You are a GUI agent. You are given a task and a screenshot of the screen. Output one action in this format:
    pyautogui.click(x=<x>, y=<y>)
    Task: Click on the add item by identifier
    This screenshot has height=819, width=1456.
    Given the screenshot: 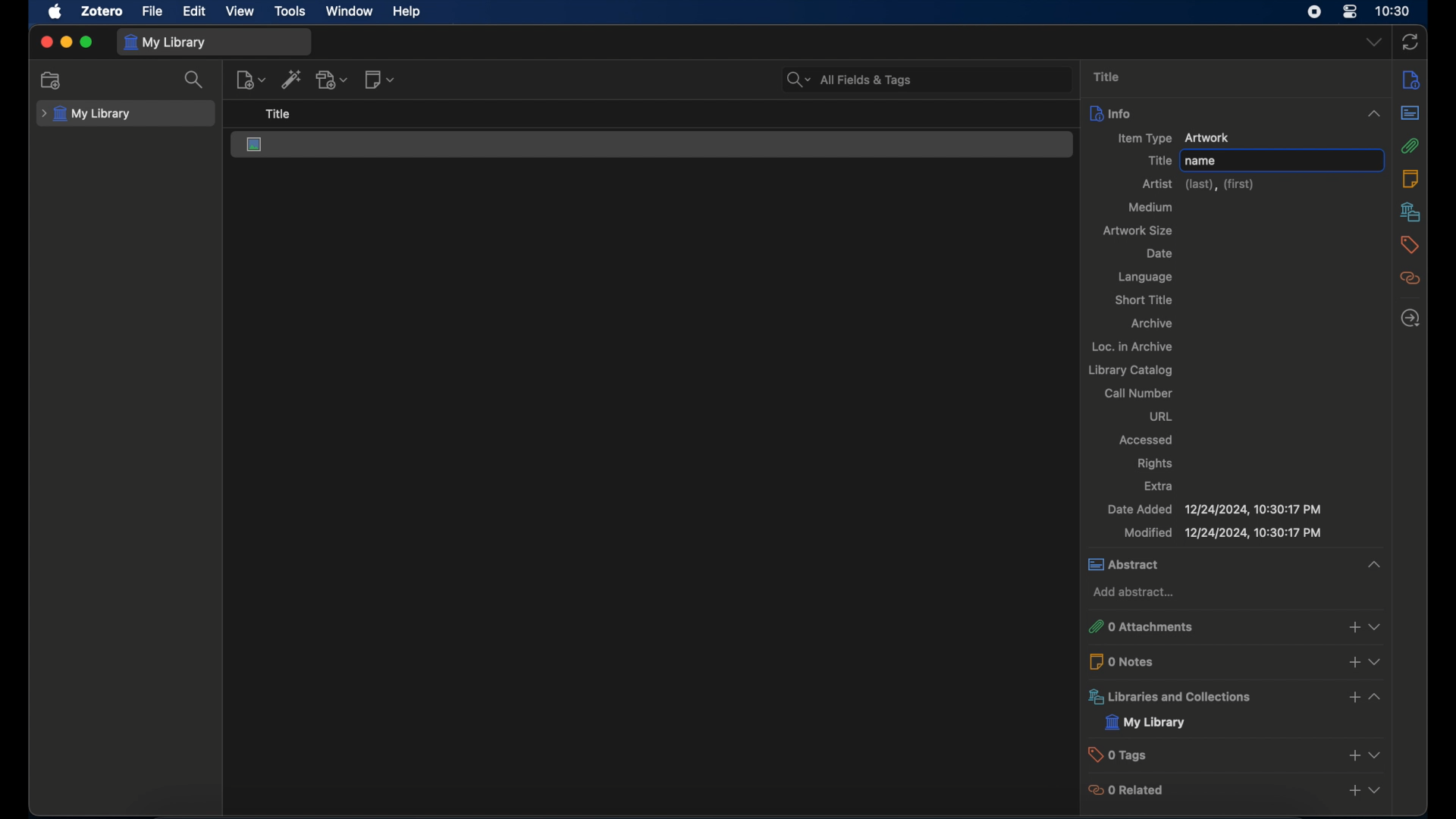 What is the action you would take?
    pyautogui.click(x=292, y=79)
    